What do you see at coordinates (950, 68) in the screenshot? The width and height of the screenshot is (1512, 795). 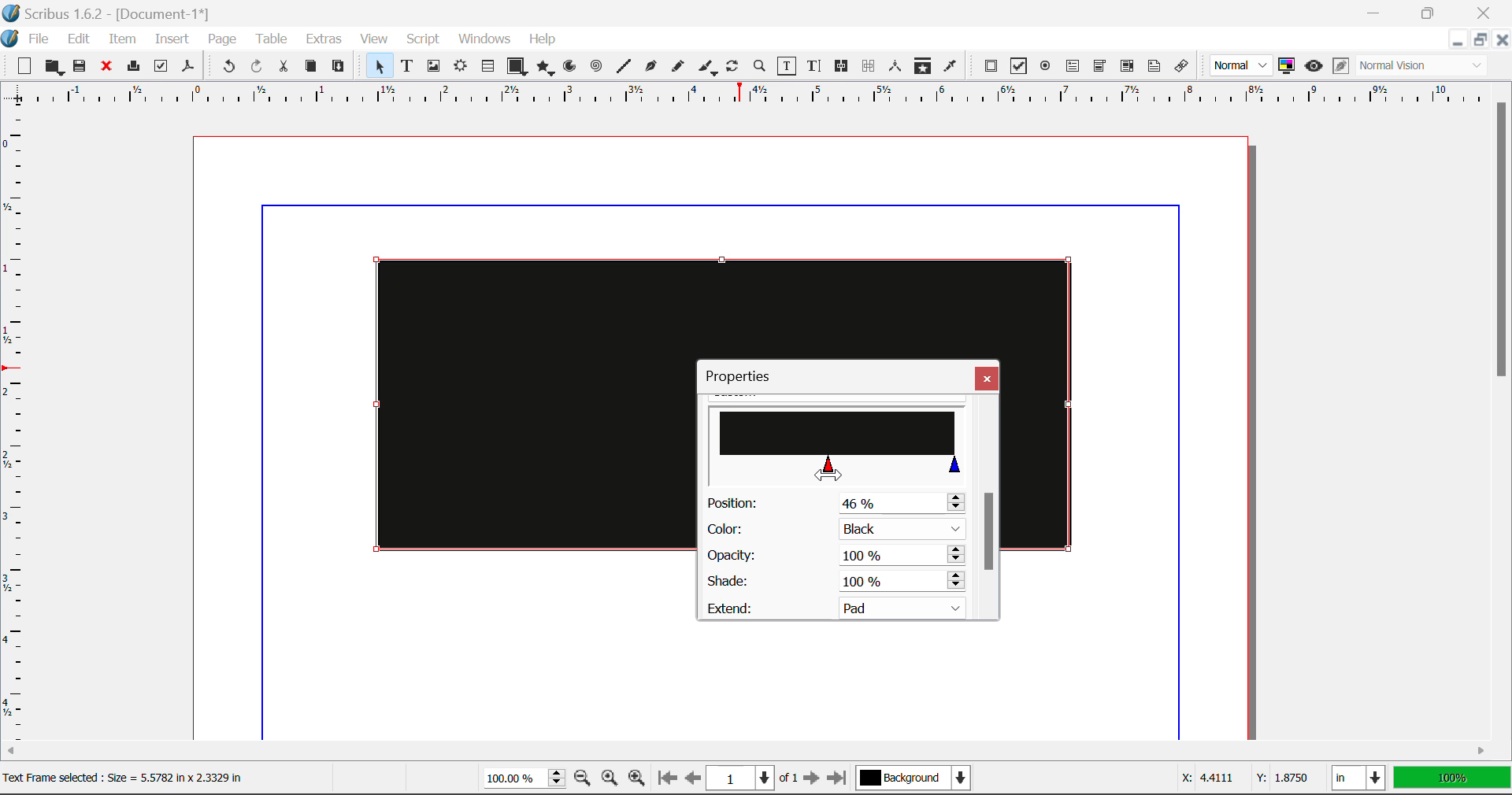 I see `Eyedropper` at bounding box center [950, 68].